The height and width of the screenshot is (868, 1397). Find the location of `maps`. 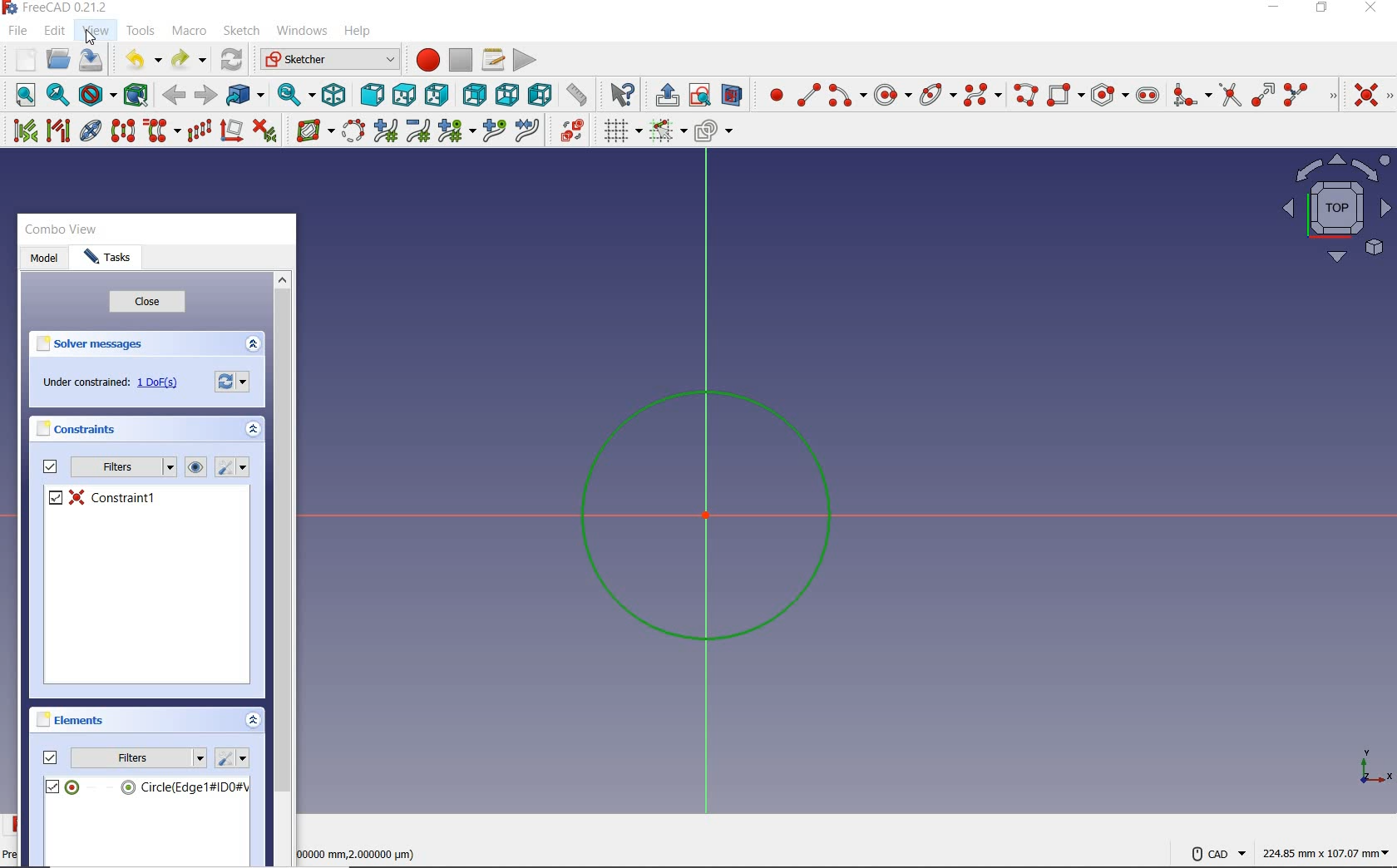

maps is located at coordinates (1329, 209).